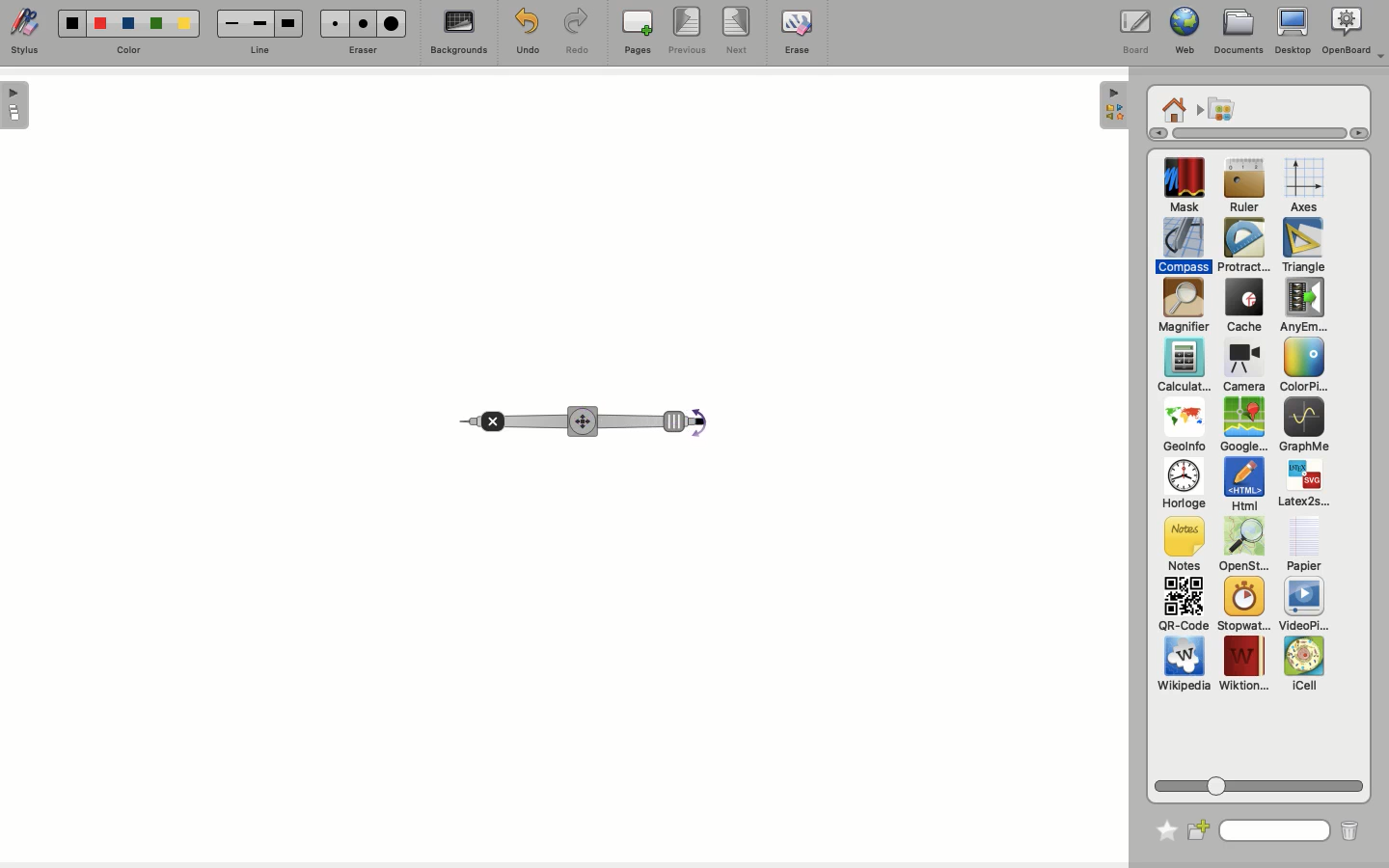 This screenshot has height=868, width=1389. Describe the element at coordinates (1242, 486) in the screenshot. I see `Html` at that location.